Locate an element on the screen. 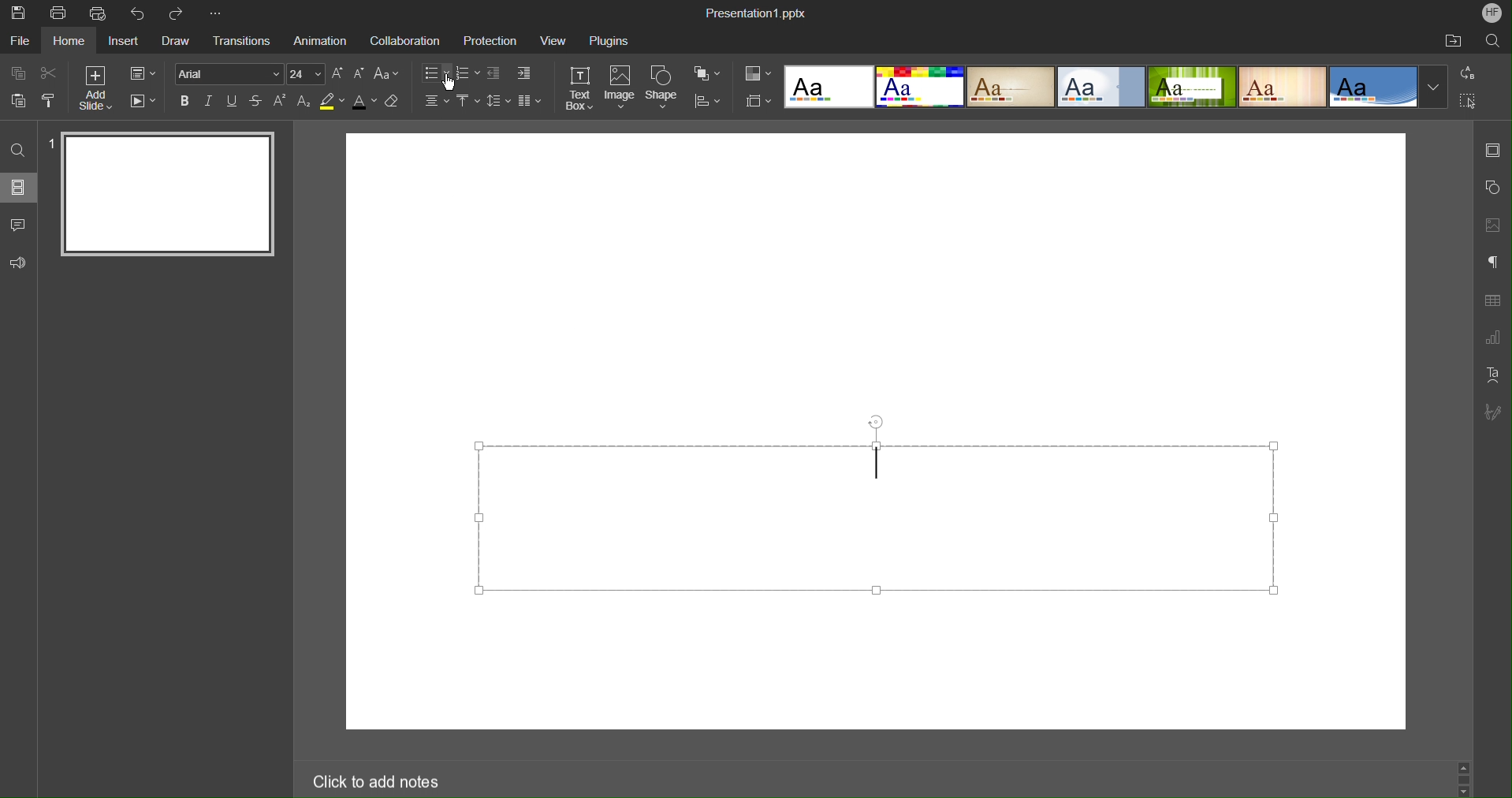  Transitions is located at coordinates (238, 41).